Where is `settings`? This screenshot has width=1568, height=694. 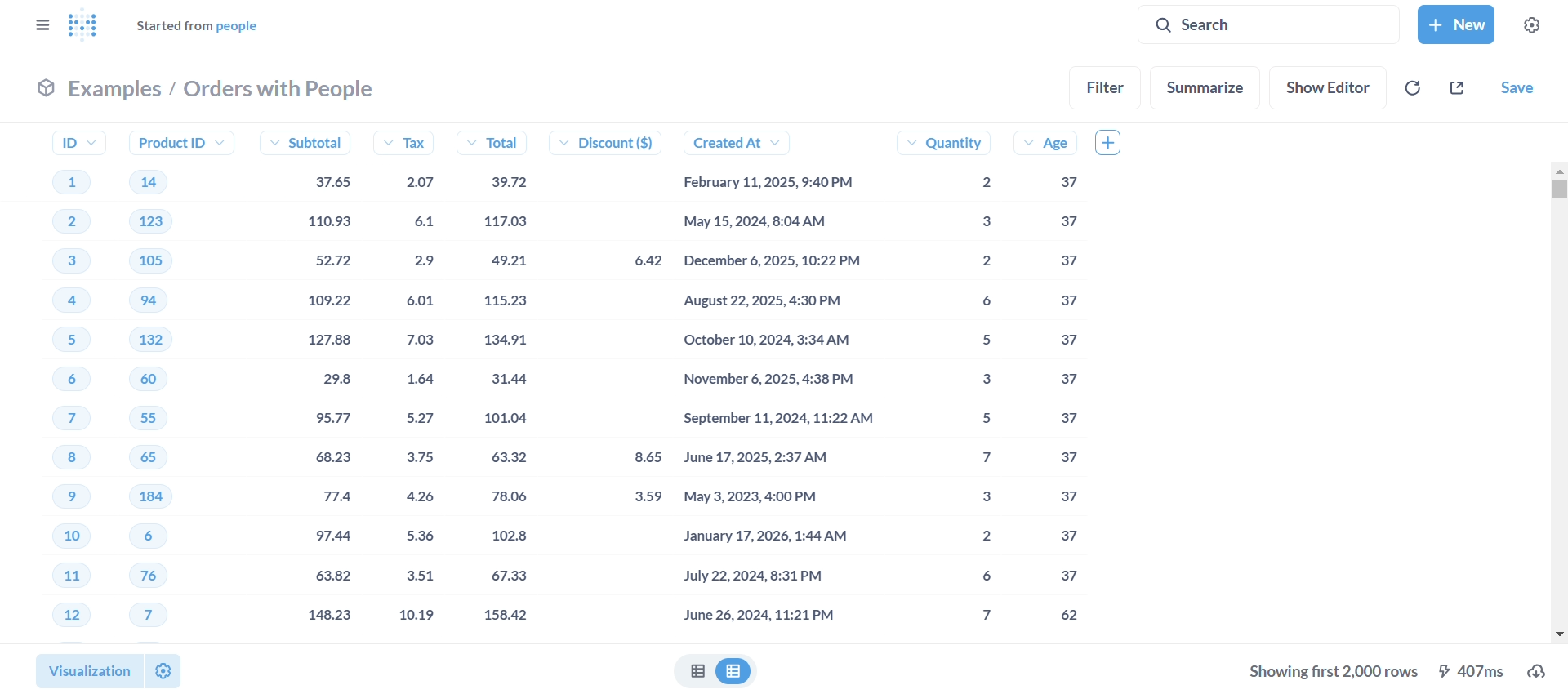 settings is located at coordinates (162, 673).